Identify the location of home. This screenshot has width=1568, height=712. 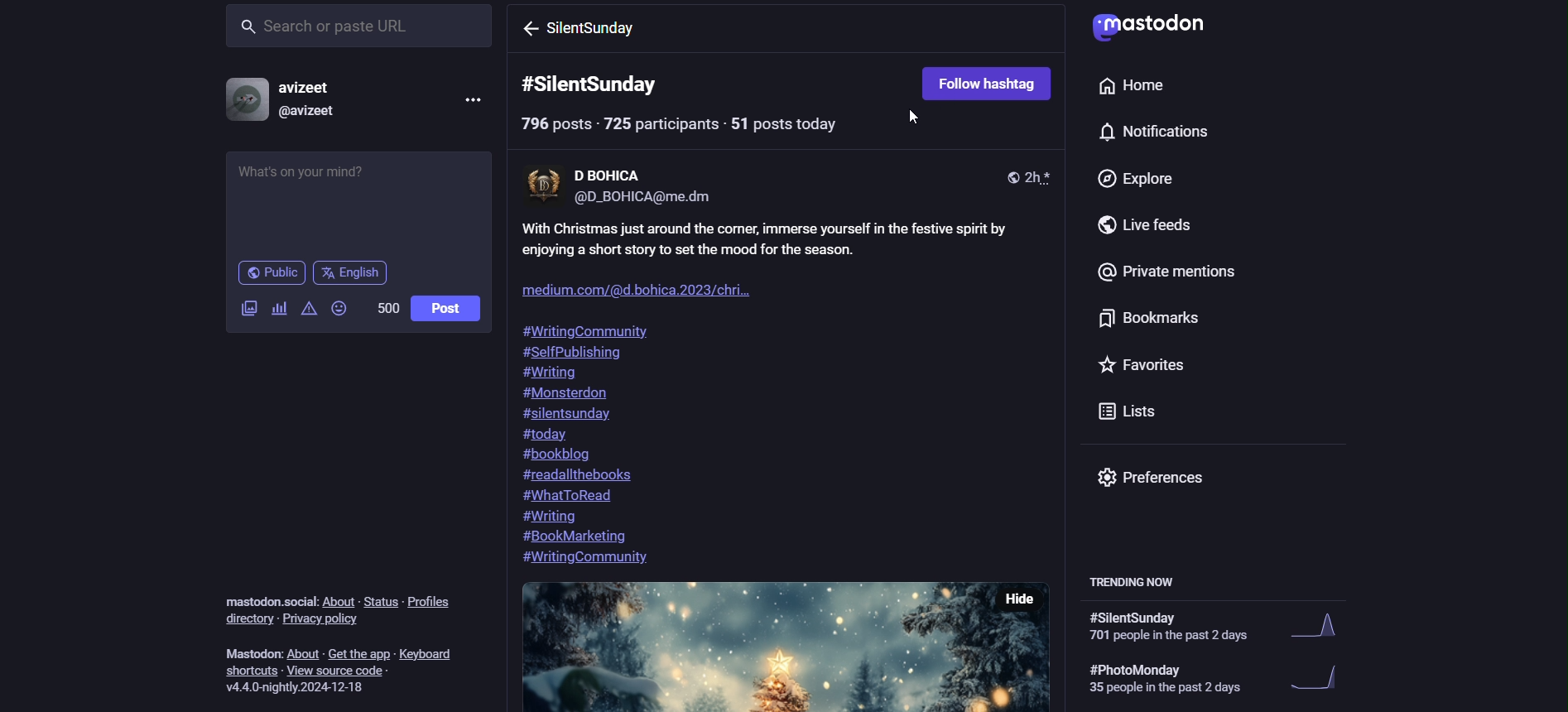
(1125, 85).